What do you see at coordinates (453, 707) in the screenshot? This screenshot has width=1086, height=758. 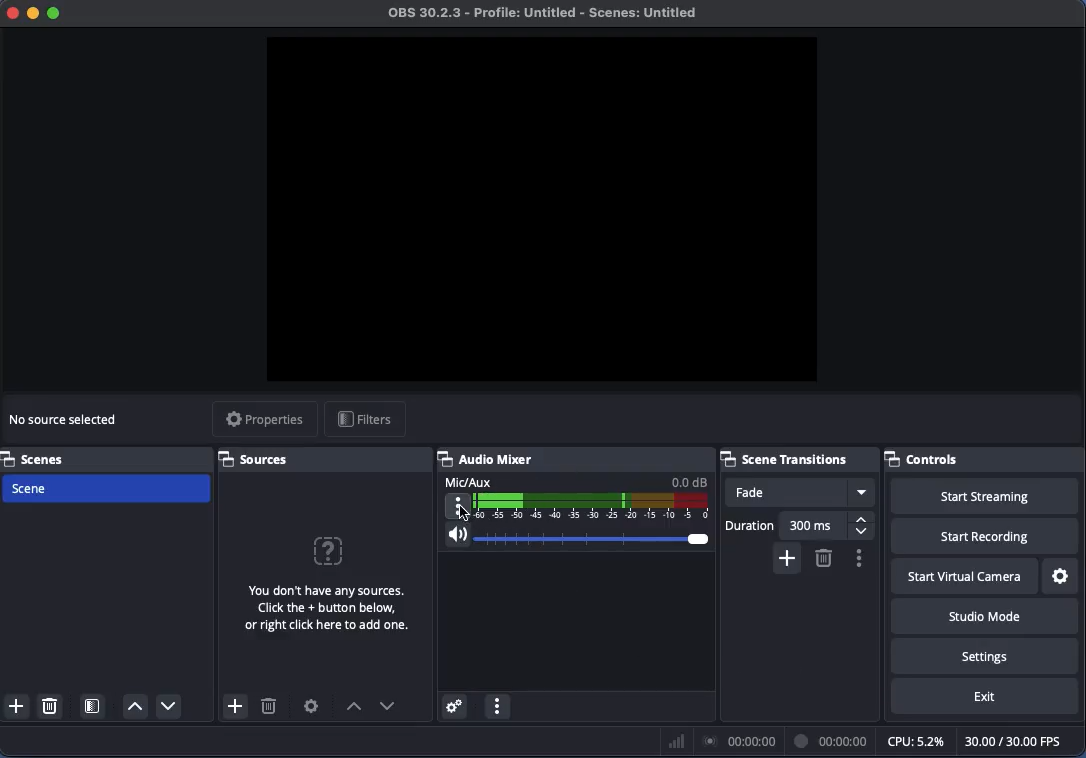 I see `Advanced audio properties` at bounding box center [453, 707].